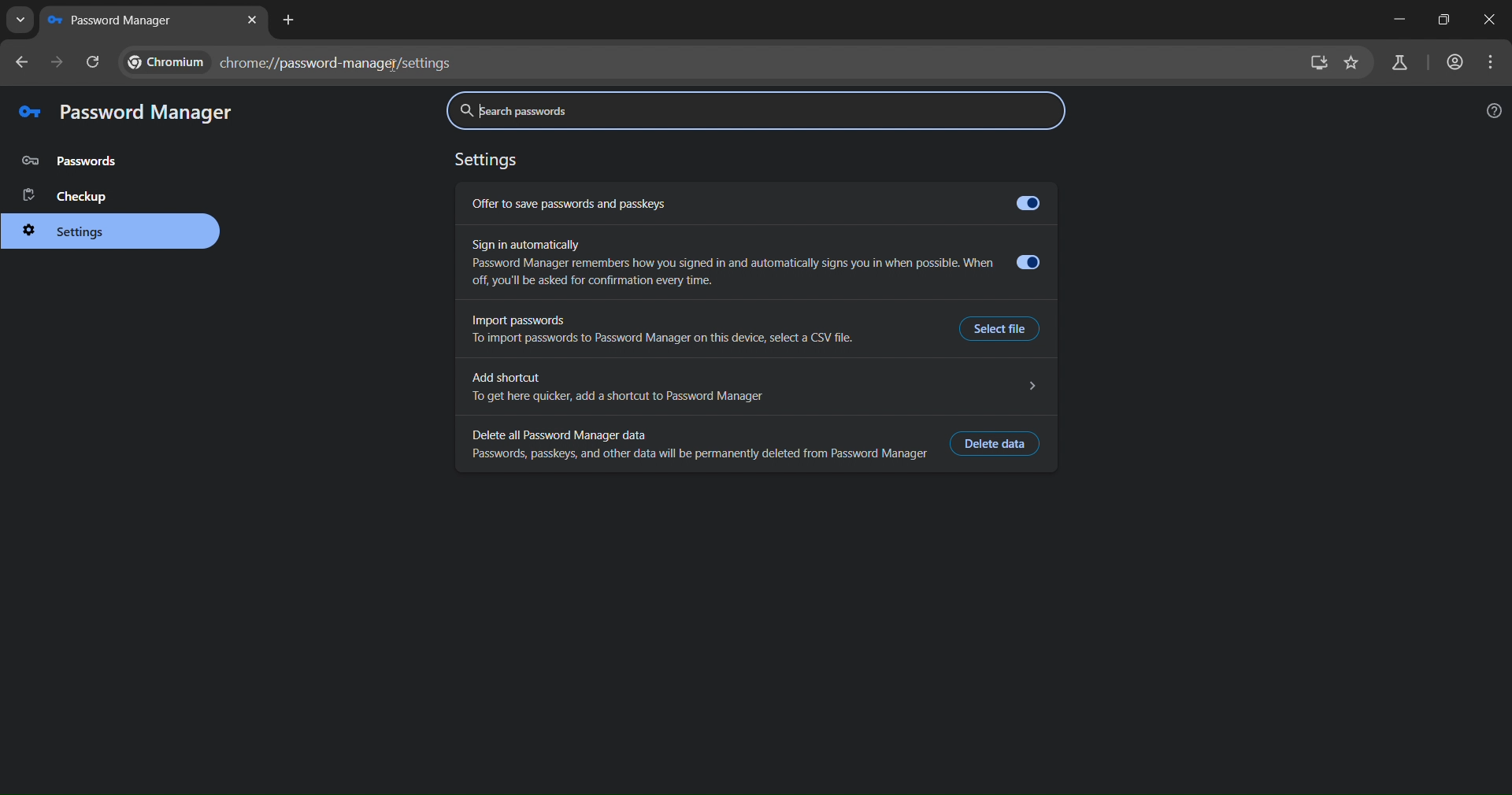  What do you see at coordinates (699, 443) in the screenshot?
I see `Delete all Password Manager data
Passwords, passkeys, and other data will be permanently deleted from Password Manager` at bounding box center [699, 443].